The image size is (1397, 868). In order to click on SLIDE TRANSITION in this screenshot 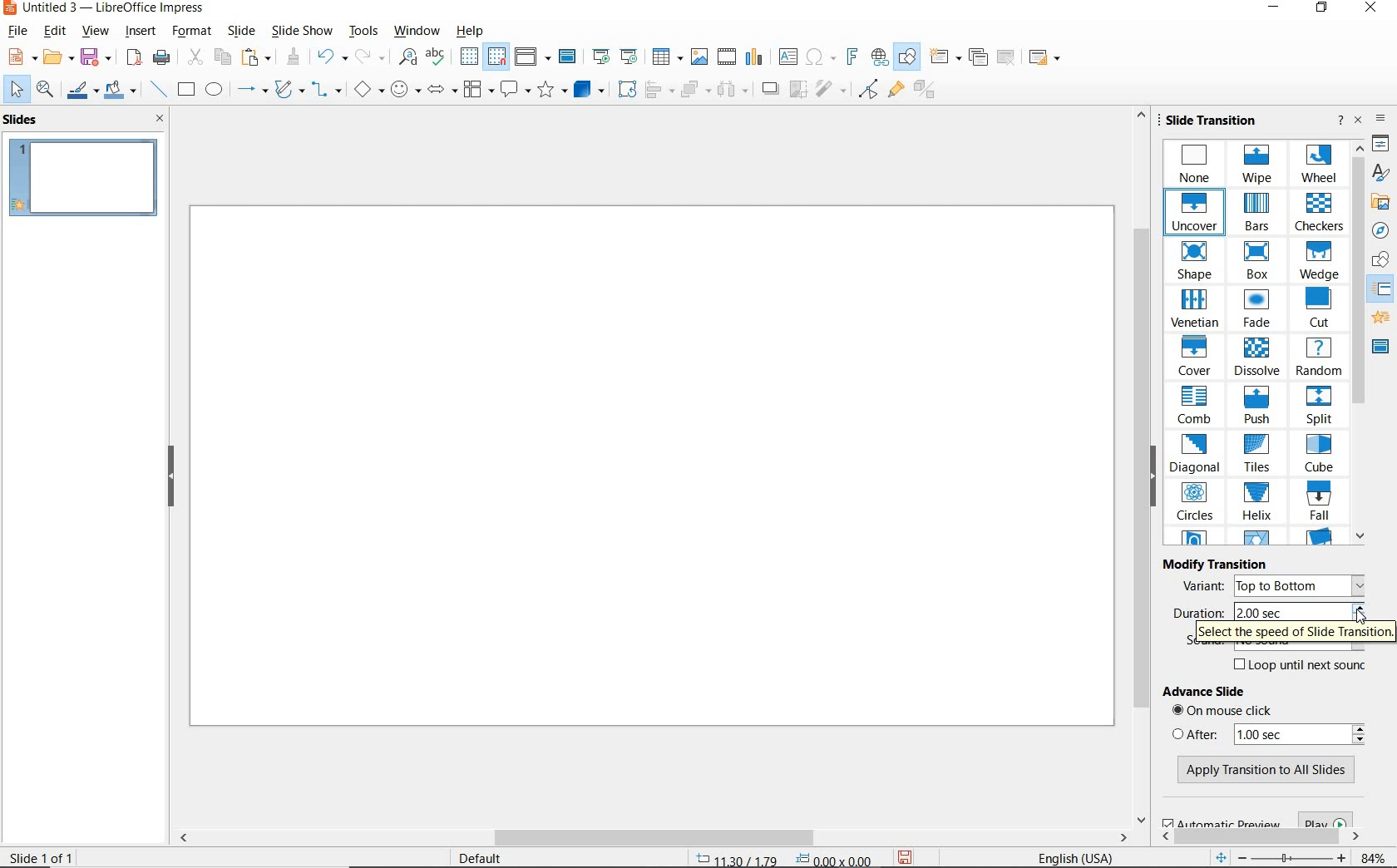, I will do `click(1384, 291)`.